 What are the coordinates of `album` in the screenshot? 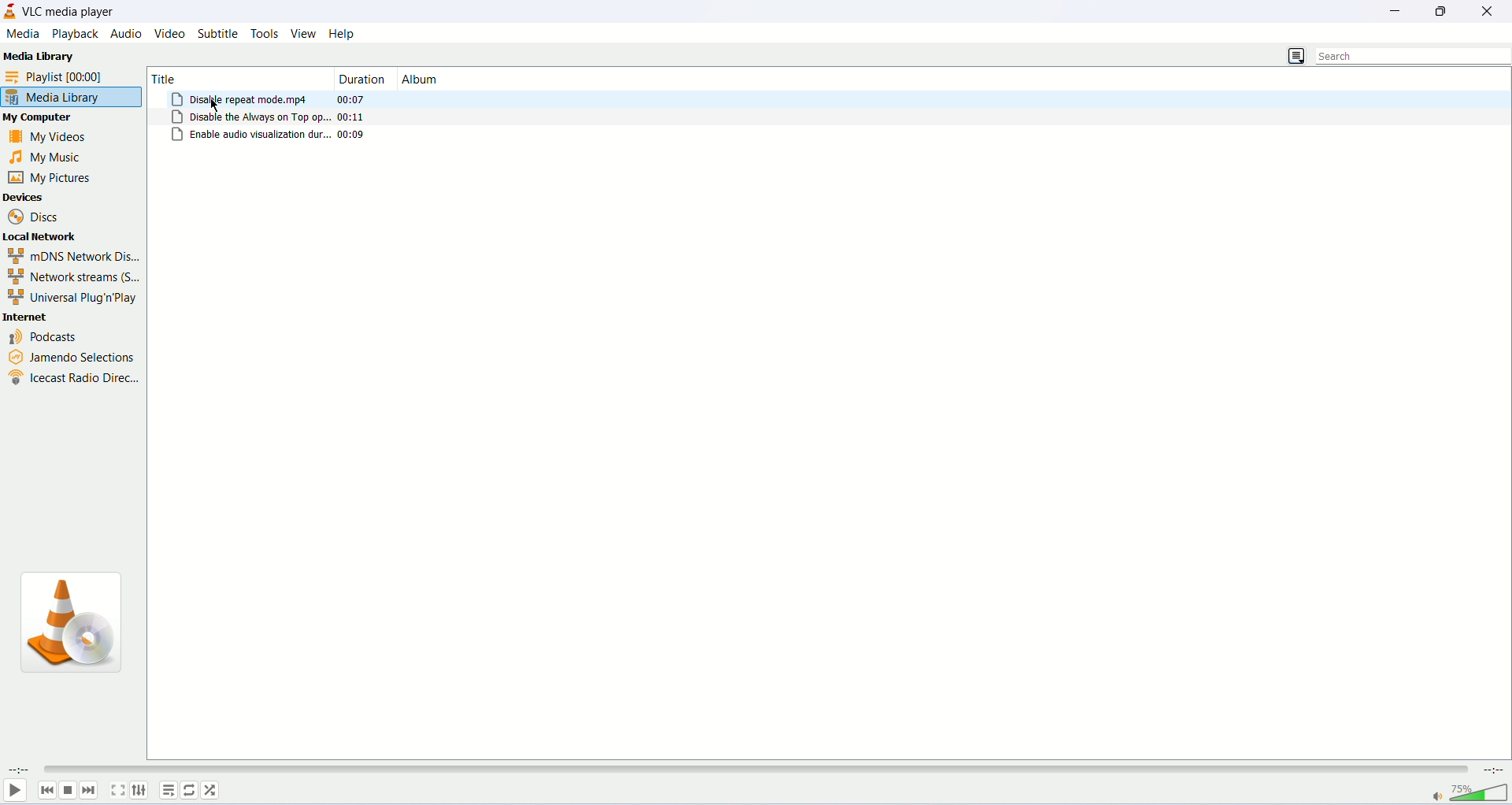 It's located at (467, 78).